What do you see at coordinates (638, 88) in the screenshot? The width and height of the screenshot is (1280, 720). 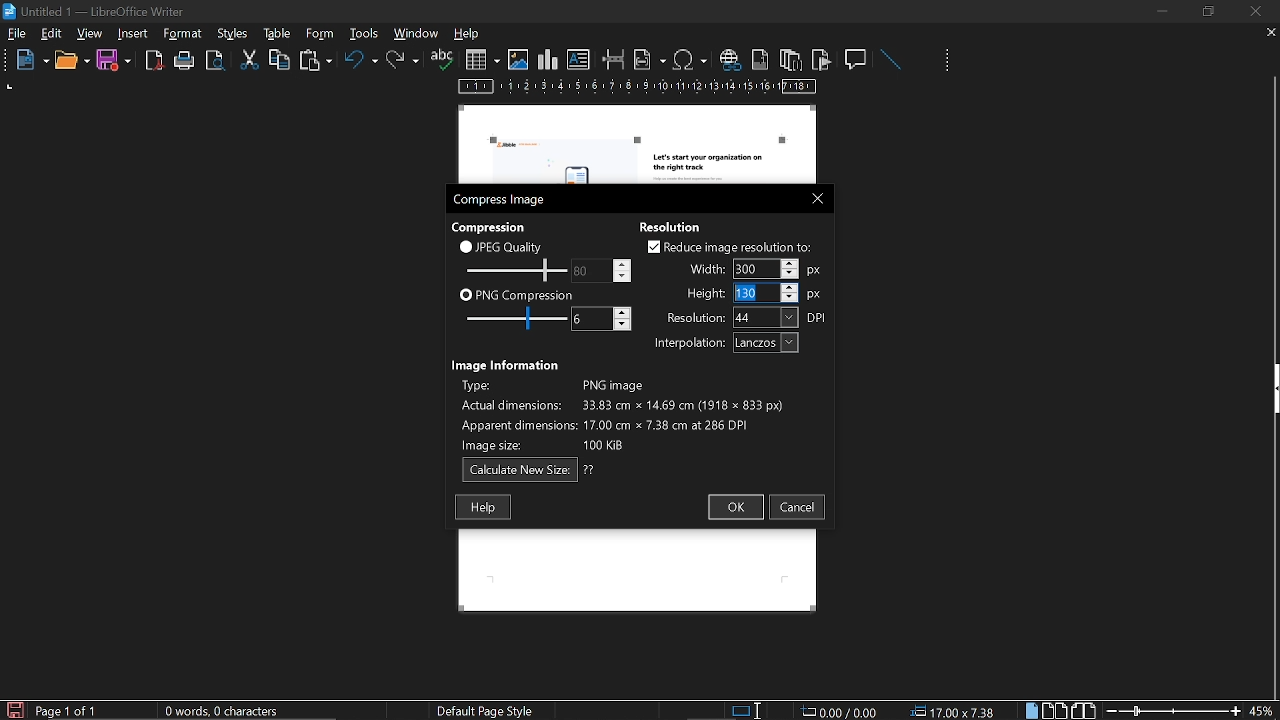 I see `scale` at bounding box center [638, 88].